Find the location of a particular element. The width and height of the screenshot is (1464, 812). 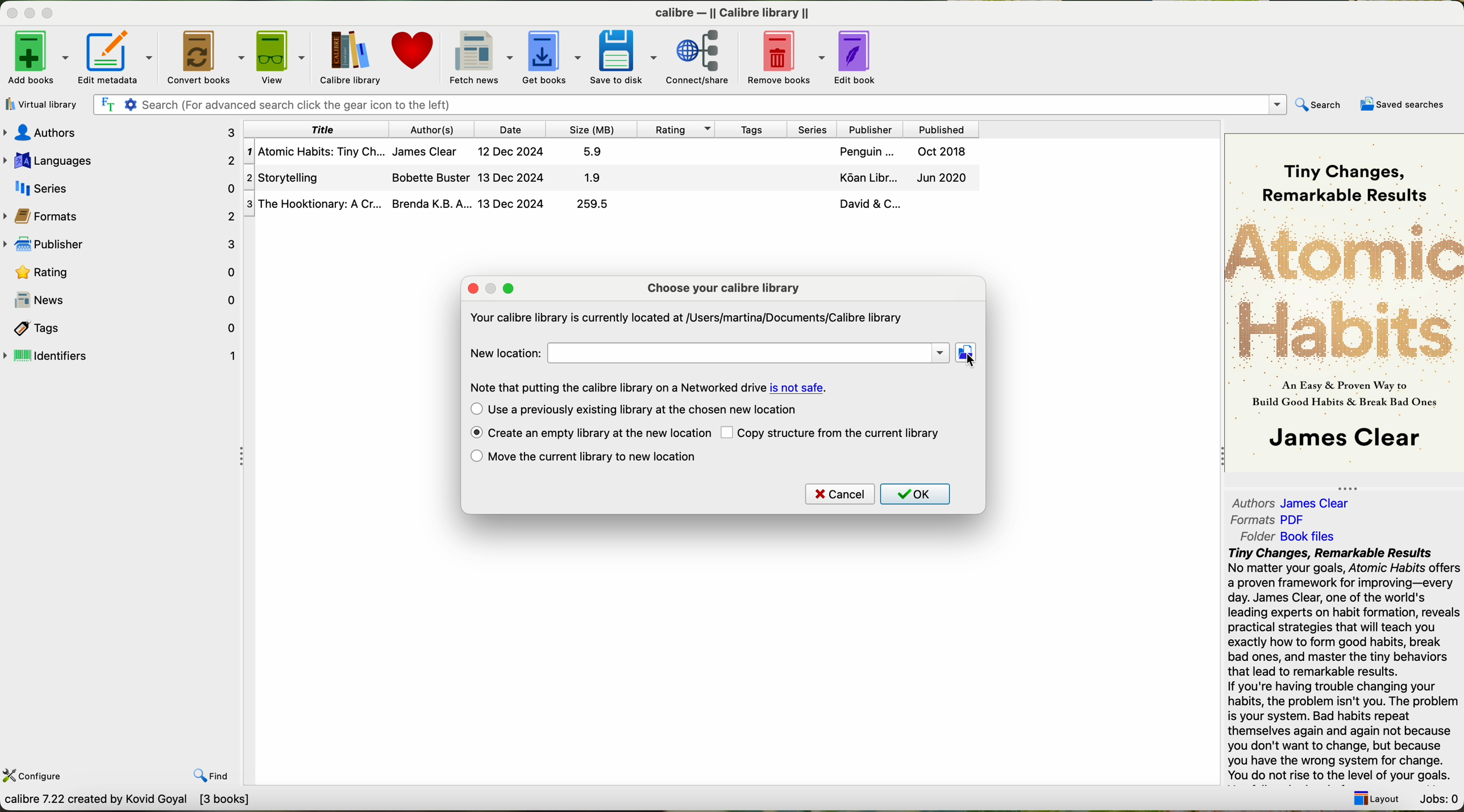

Choose calbre library to work with Calbre Library [3book} is located at coordinates (168, 802).